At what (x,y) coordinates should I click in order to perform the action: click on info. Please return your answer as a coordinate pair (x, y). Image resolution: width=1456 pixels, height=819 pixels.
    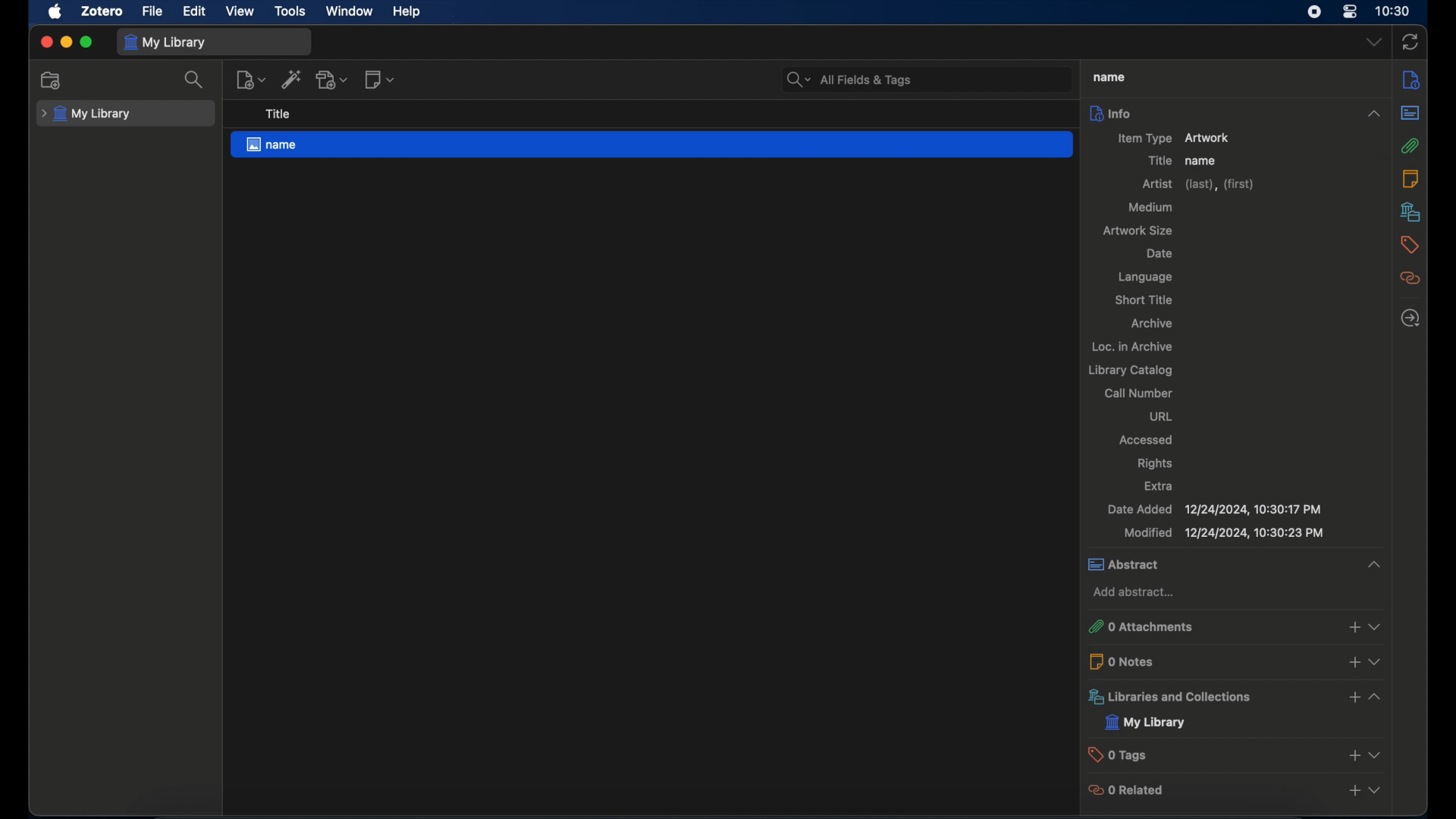
    Looking at the image, I should click on (1237, 113).